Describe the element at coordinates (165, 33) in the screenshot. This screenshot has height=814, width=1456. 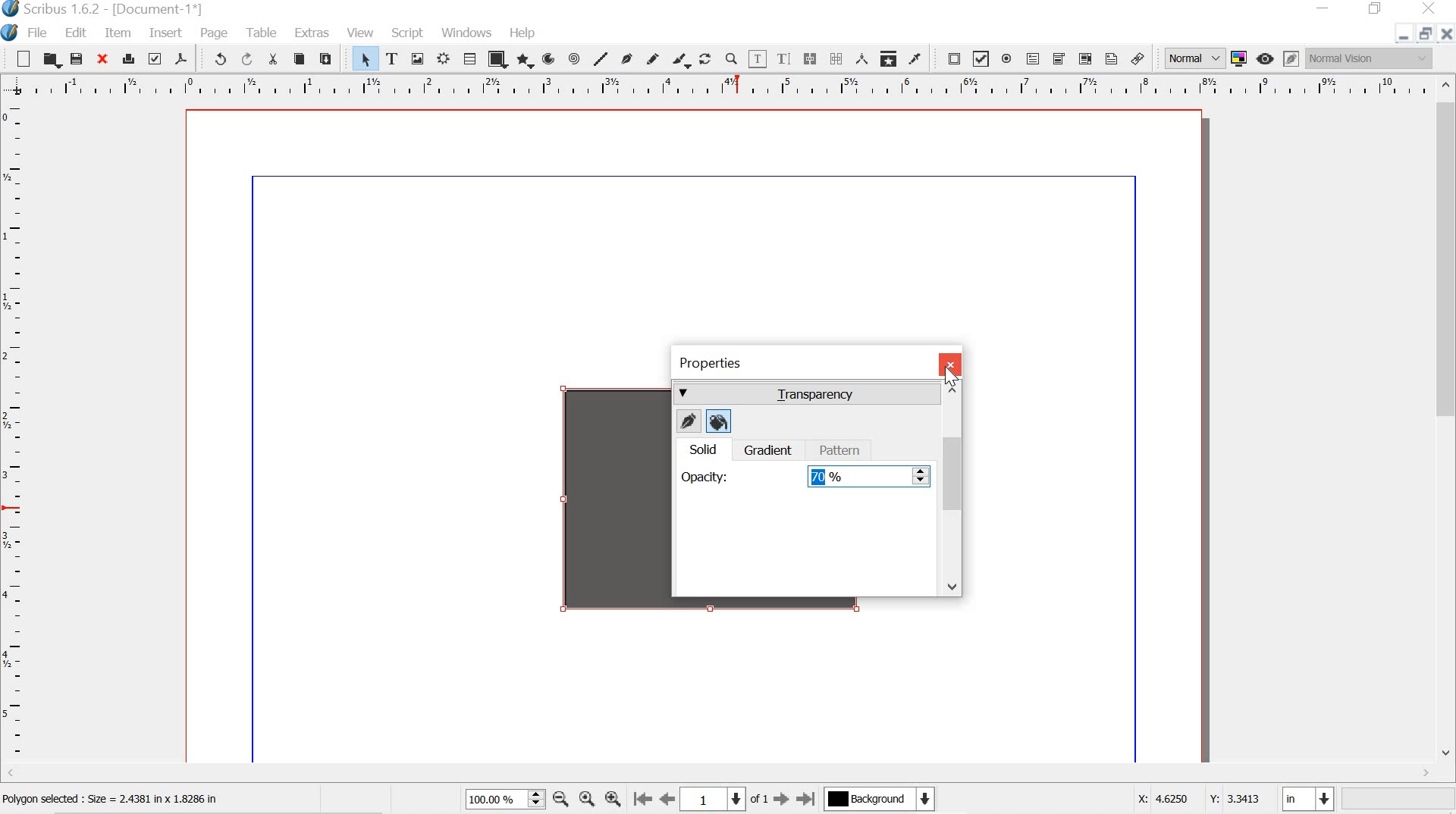
I see `insert` at that location.